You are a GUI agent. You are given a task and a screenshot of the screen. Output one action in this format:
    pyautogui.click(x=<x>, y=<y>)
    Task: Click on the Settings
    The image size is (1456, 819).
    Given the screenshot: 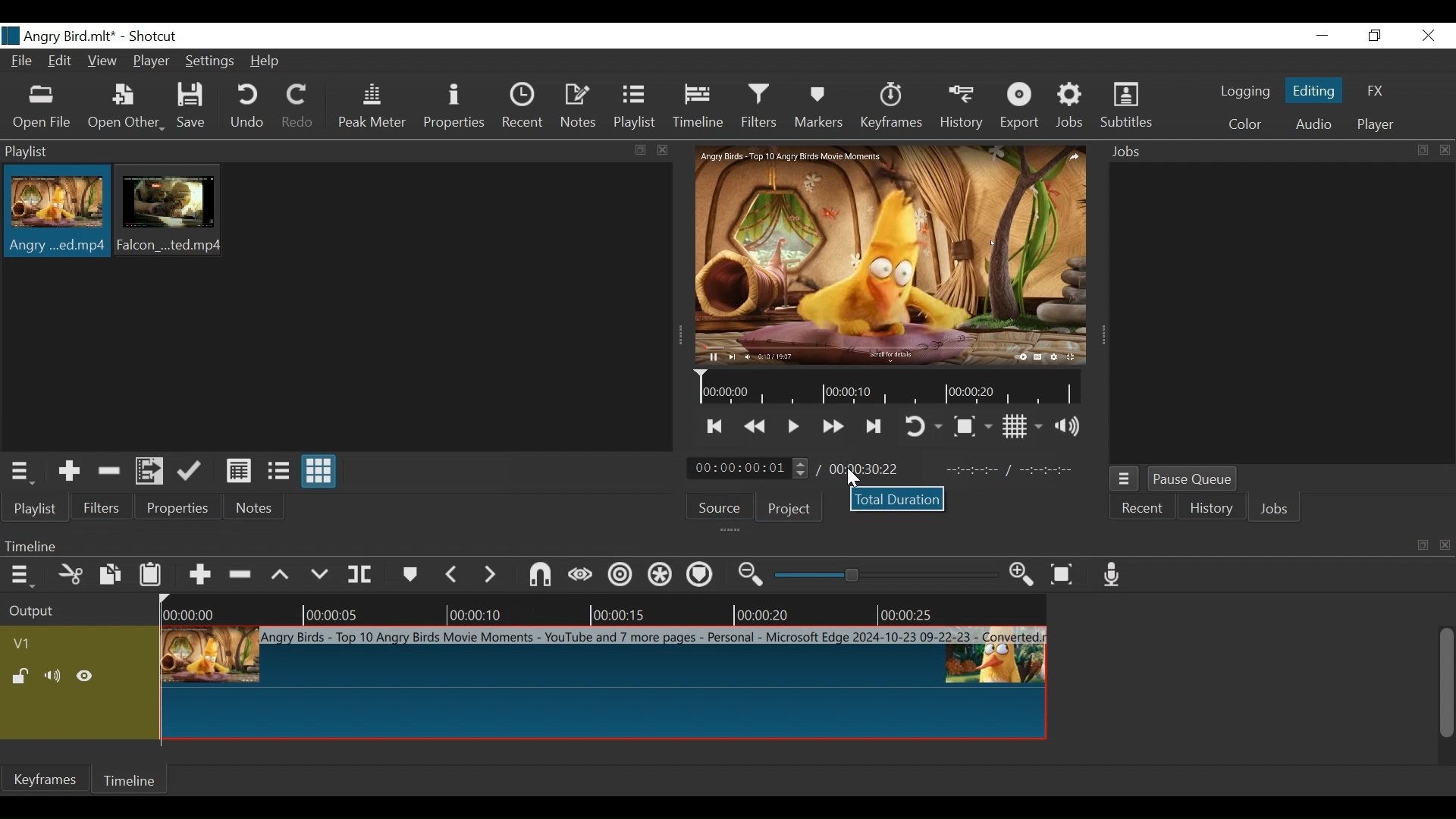 What is the action you would take?
    pyautogui.click(x=210, y=61)
    